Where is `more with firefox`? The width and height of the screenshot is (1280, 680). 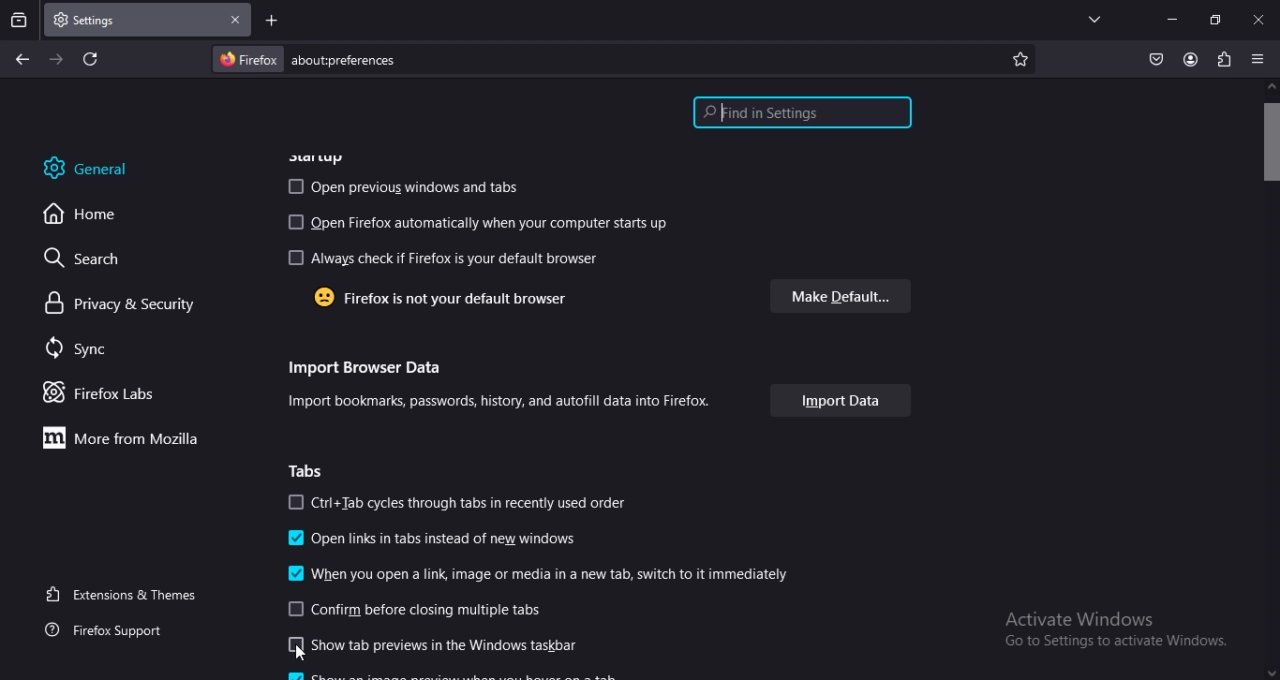
more with firefox is located at coordinates (114, 438).